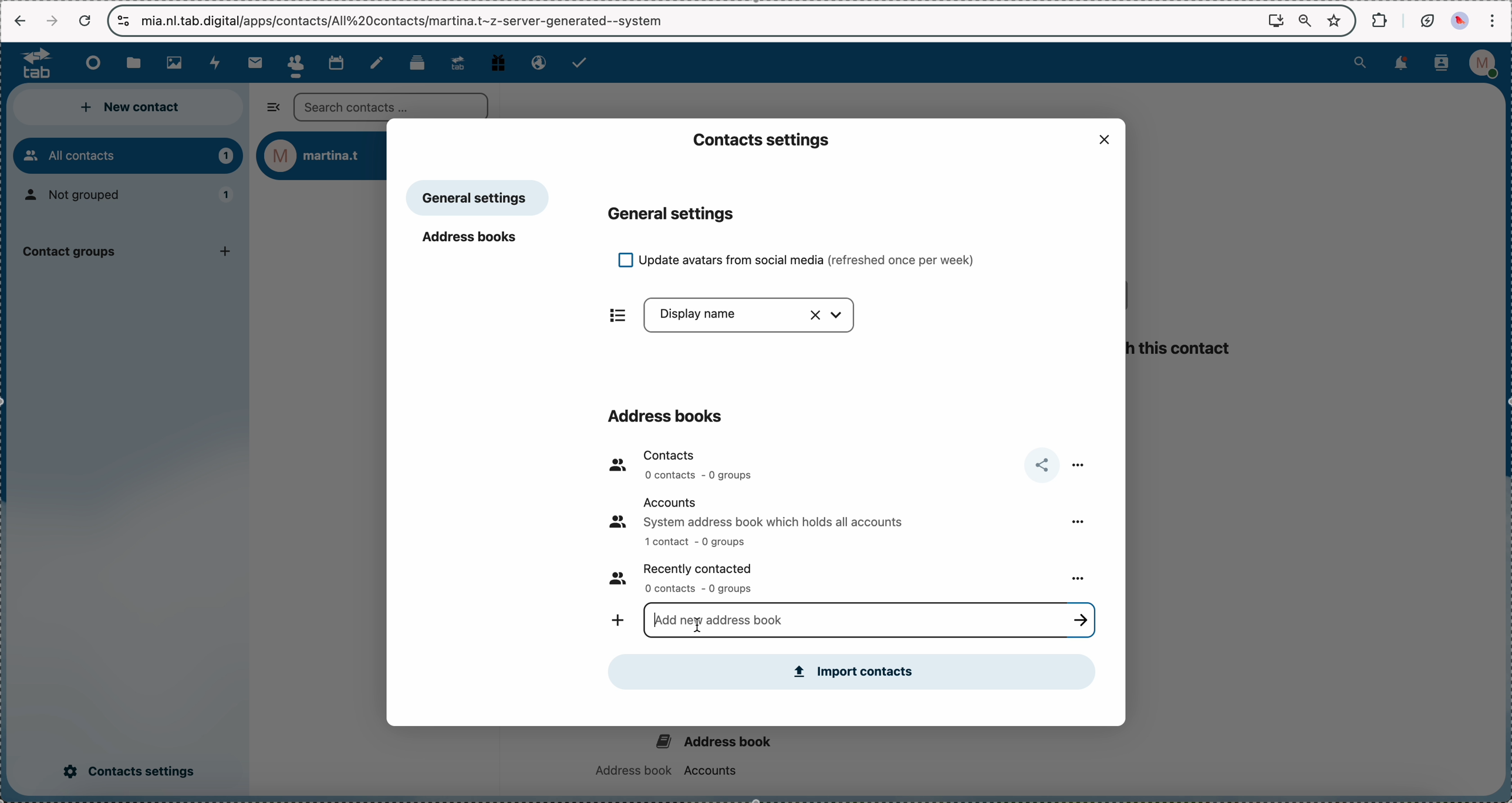 Image resolution: width=1512 pixels, height=803 pixels. What do you see at coordinates (1039, 465) in the screenshot?
I see `share` at bounding box center [1039, 465].